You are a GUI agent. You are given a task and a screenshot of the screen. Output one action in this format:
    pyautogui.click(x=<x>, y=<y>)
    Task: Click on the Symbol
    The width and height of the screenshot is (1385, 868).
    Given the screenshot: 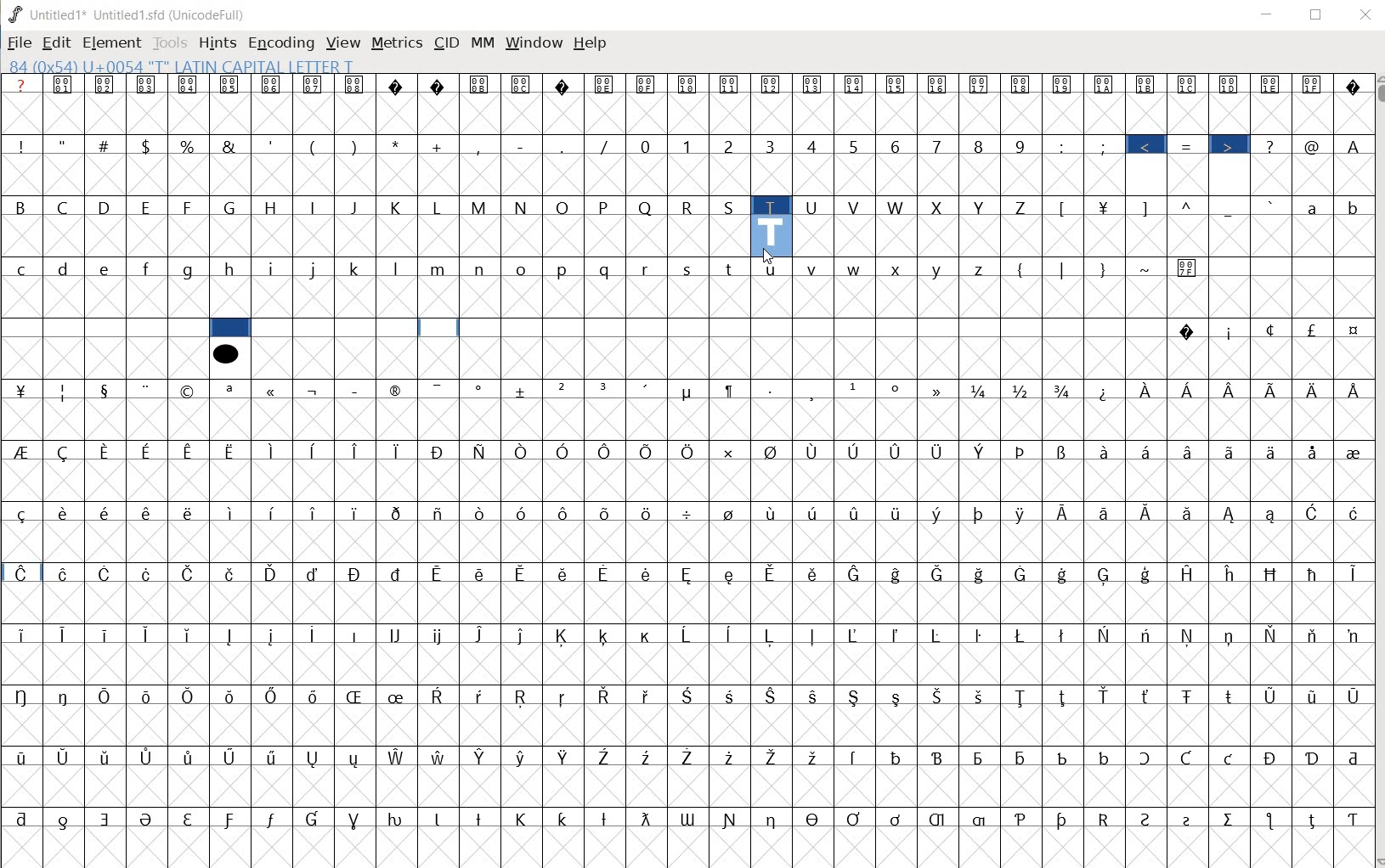 What is the action you would take?
    pyautogui.click(x=523, y=510)
    